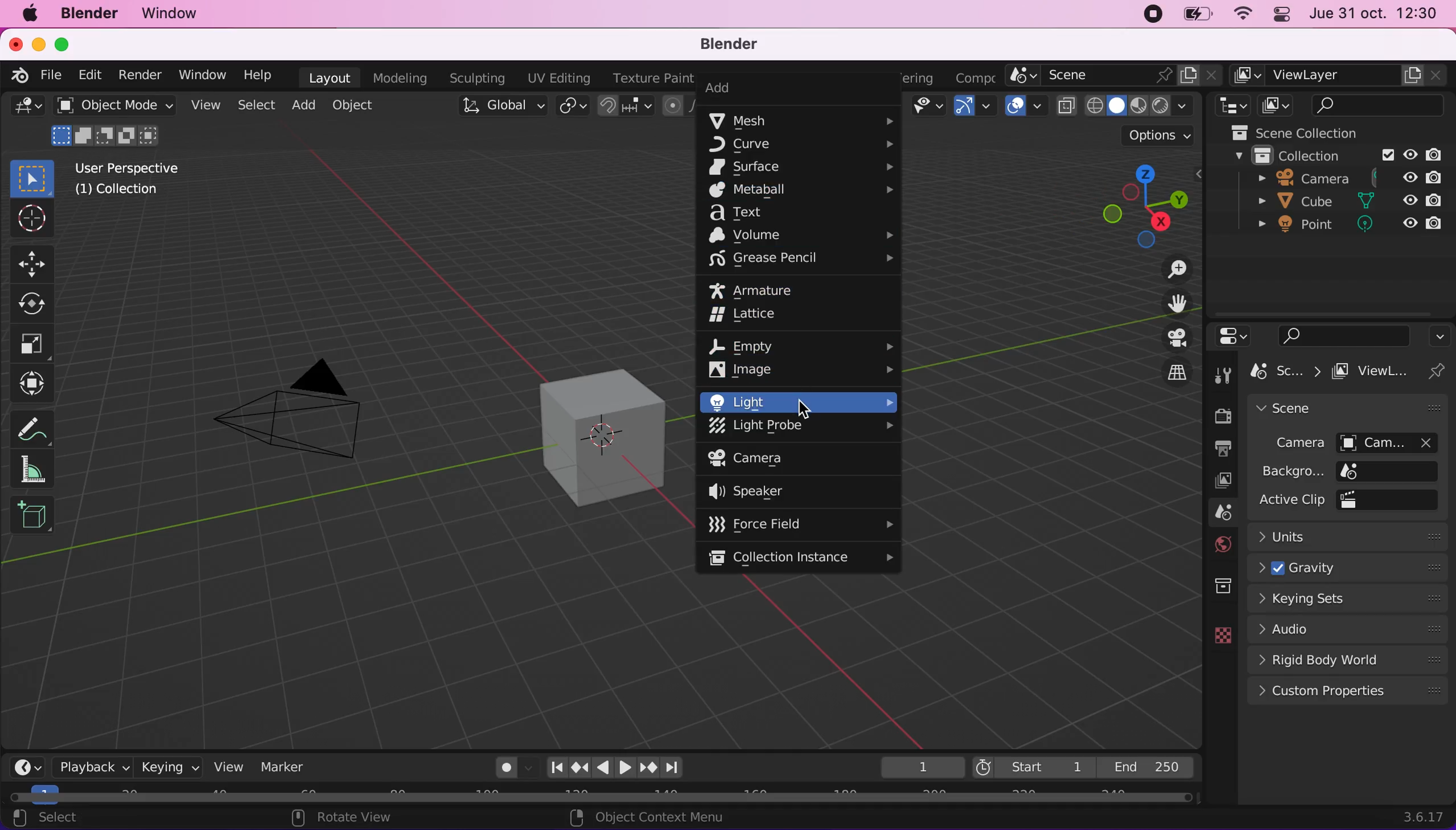 The image size is (1456, 830). I want to click on disable in renders, so click(1431, 225).